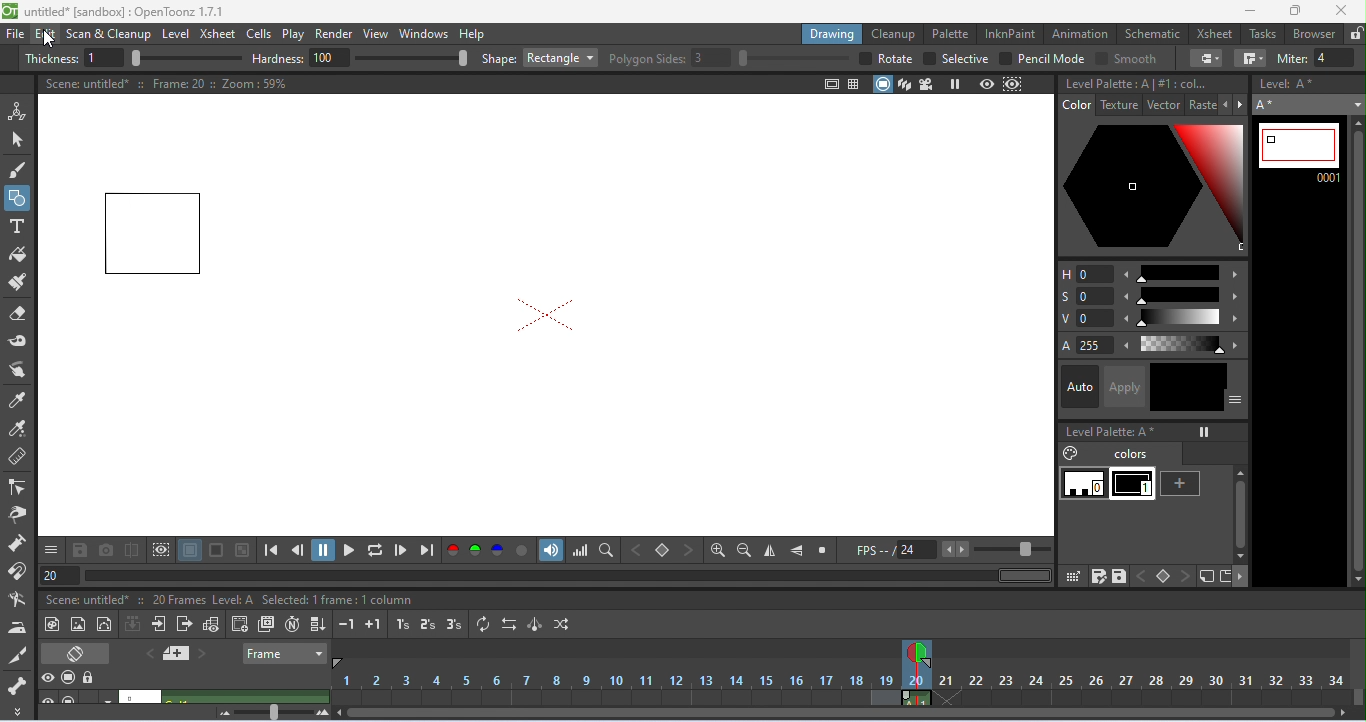  I want to click on preview visibility, so click(46, 677).